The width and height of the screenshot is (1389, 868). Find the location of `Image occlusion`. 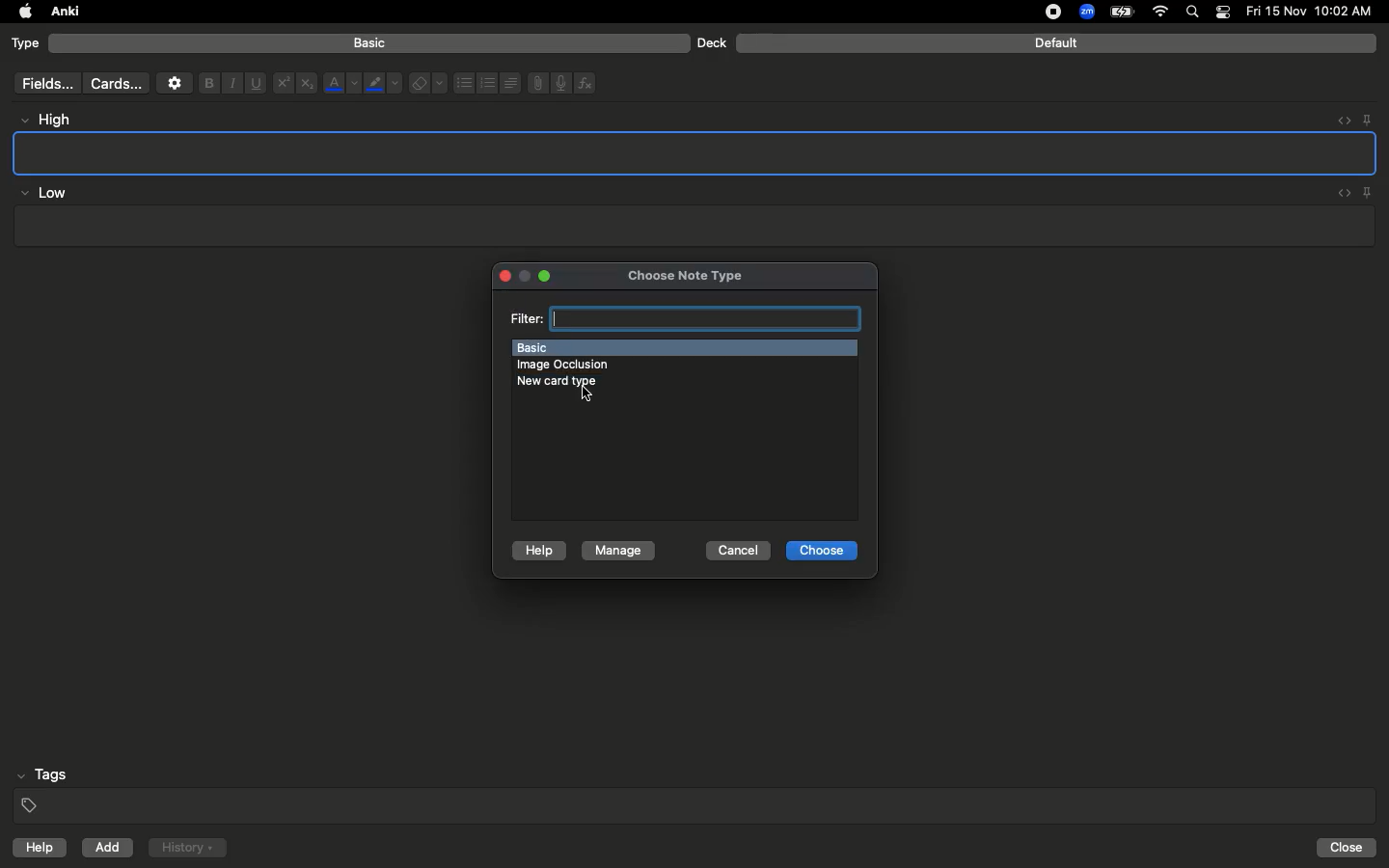

Image occlusion is located at coordinates (571, 365).